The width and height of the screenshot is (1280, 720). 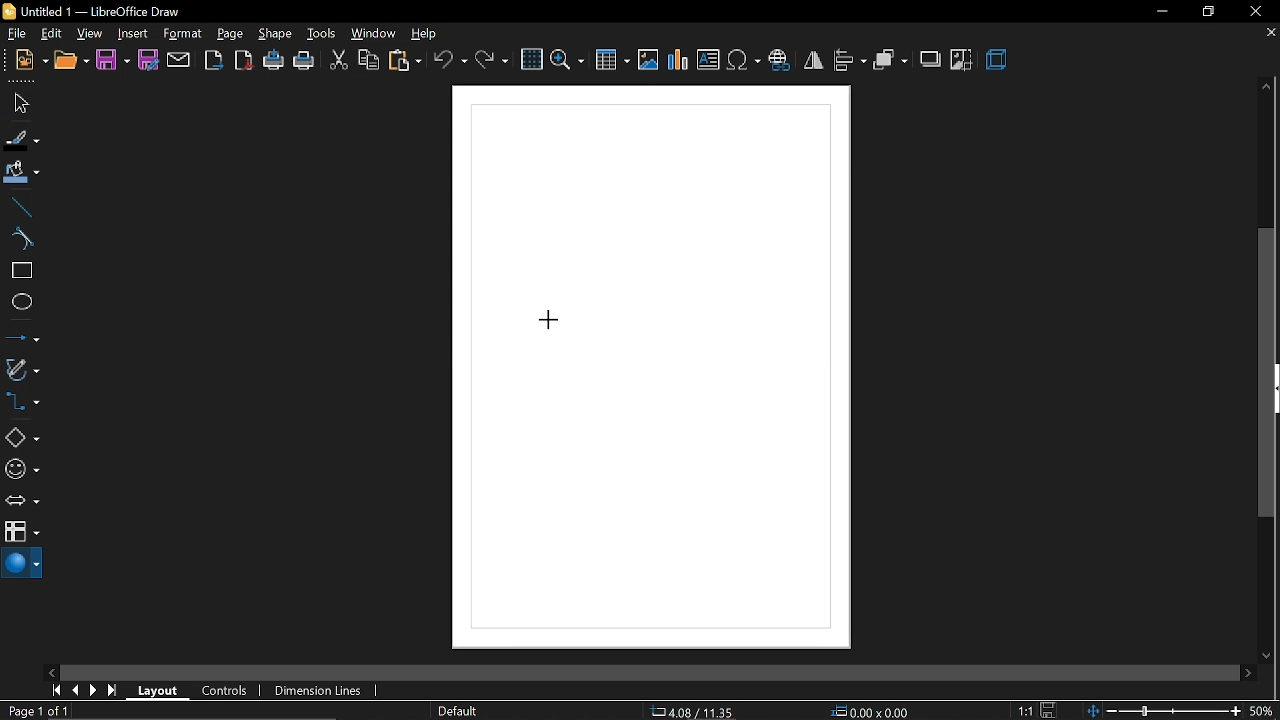 I want to click on print, so click(x=305, y=61).